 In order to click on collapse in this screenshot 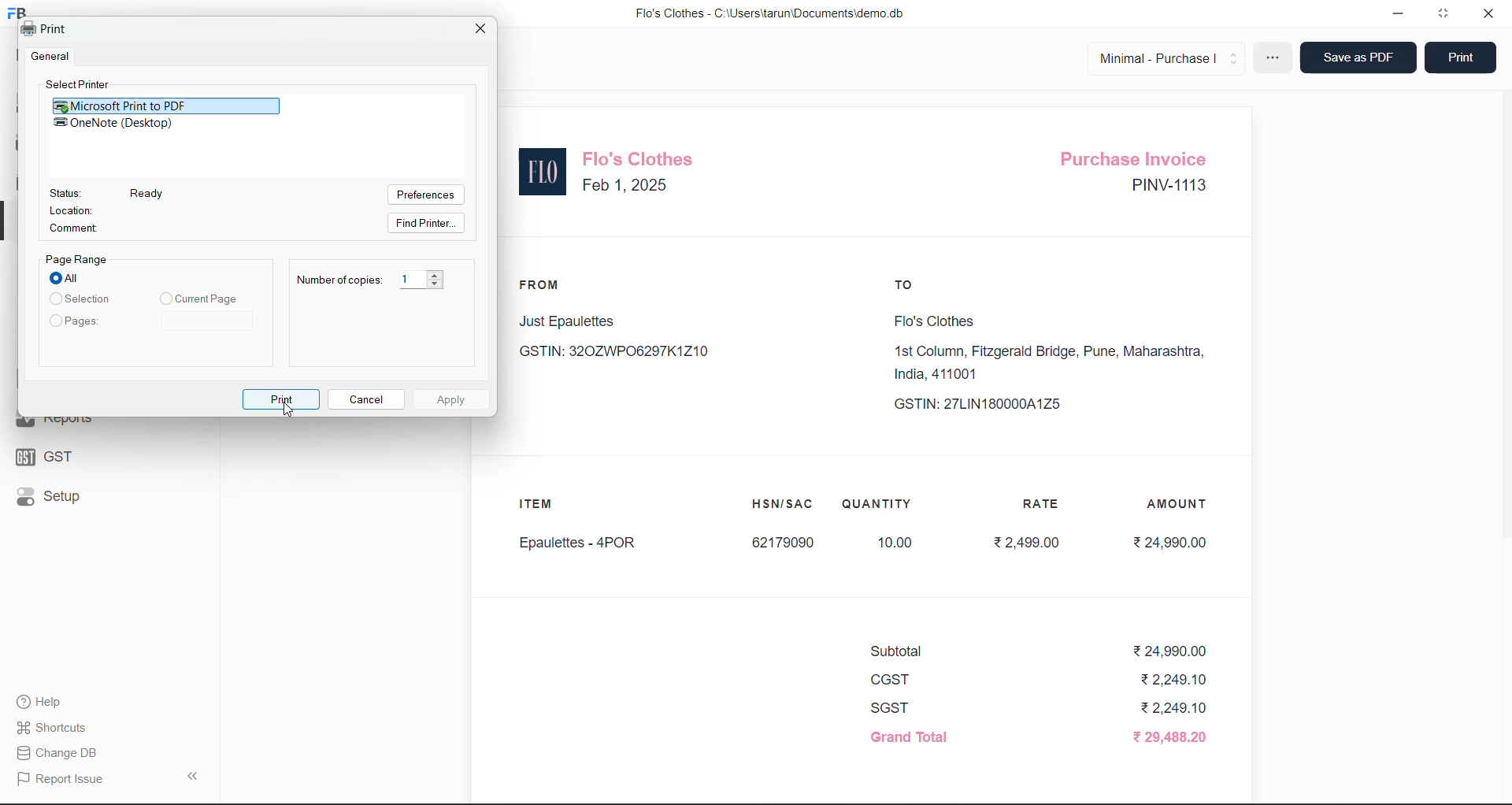, I will do `click(198, 777)`.